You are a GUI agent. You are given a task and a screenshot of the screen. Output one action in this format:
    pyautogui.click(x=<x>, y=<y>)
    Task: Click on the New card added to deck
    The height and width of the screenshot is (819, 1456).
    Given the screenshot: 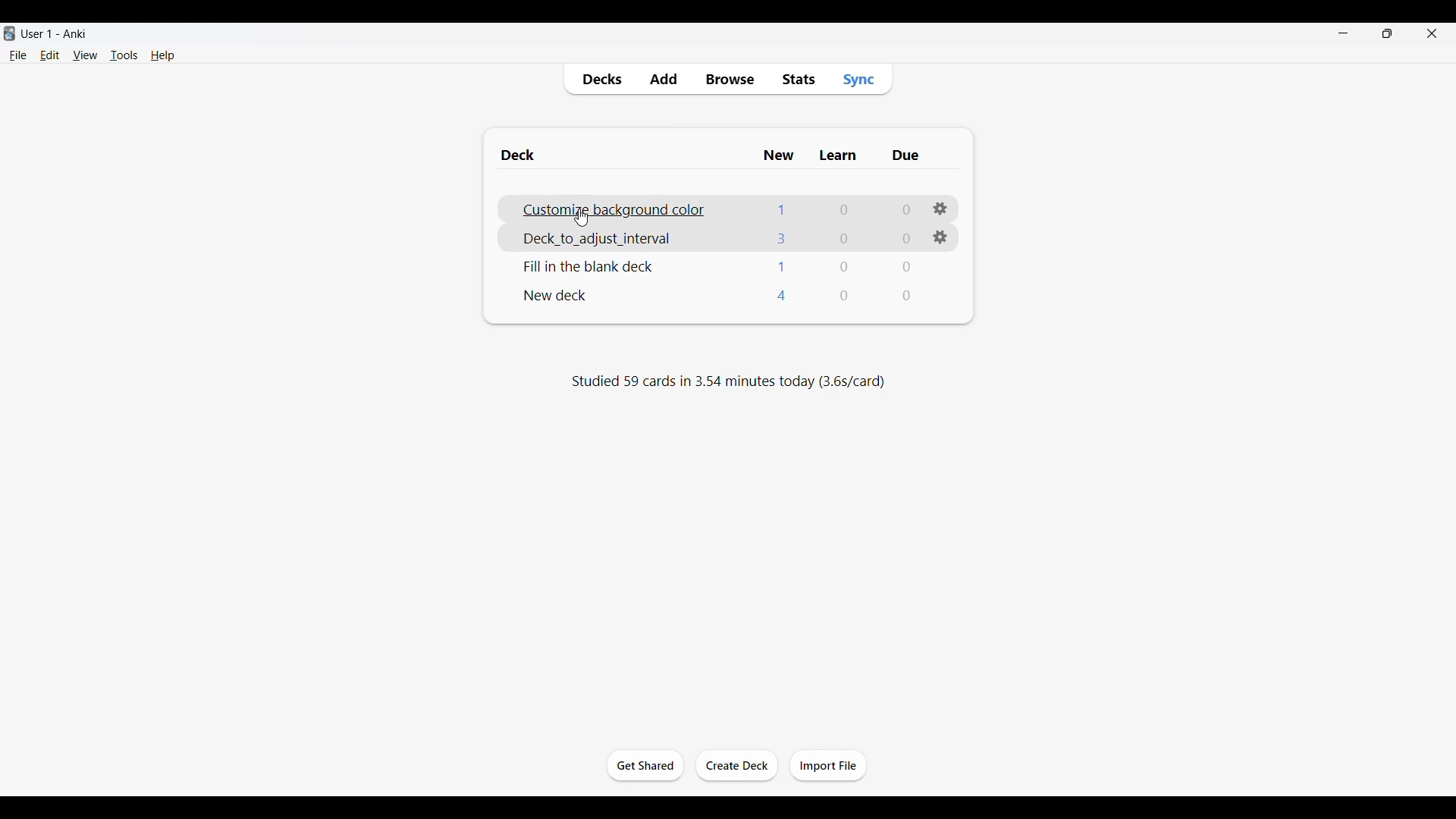 What is the action you would take?
    pyautogui.click(x=625, y=209)
    